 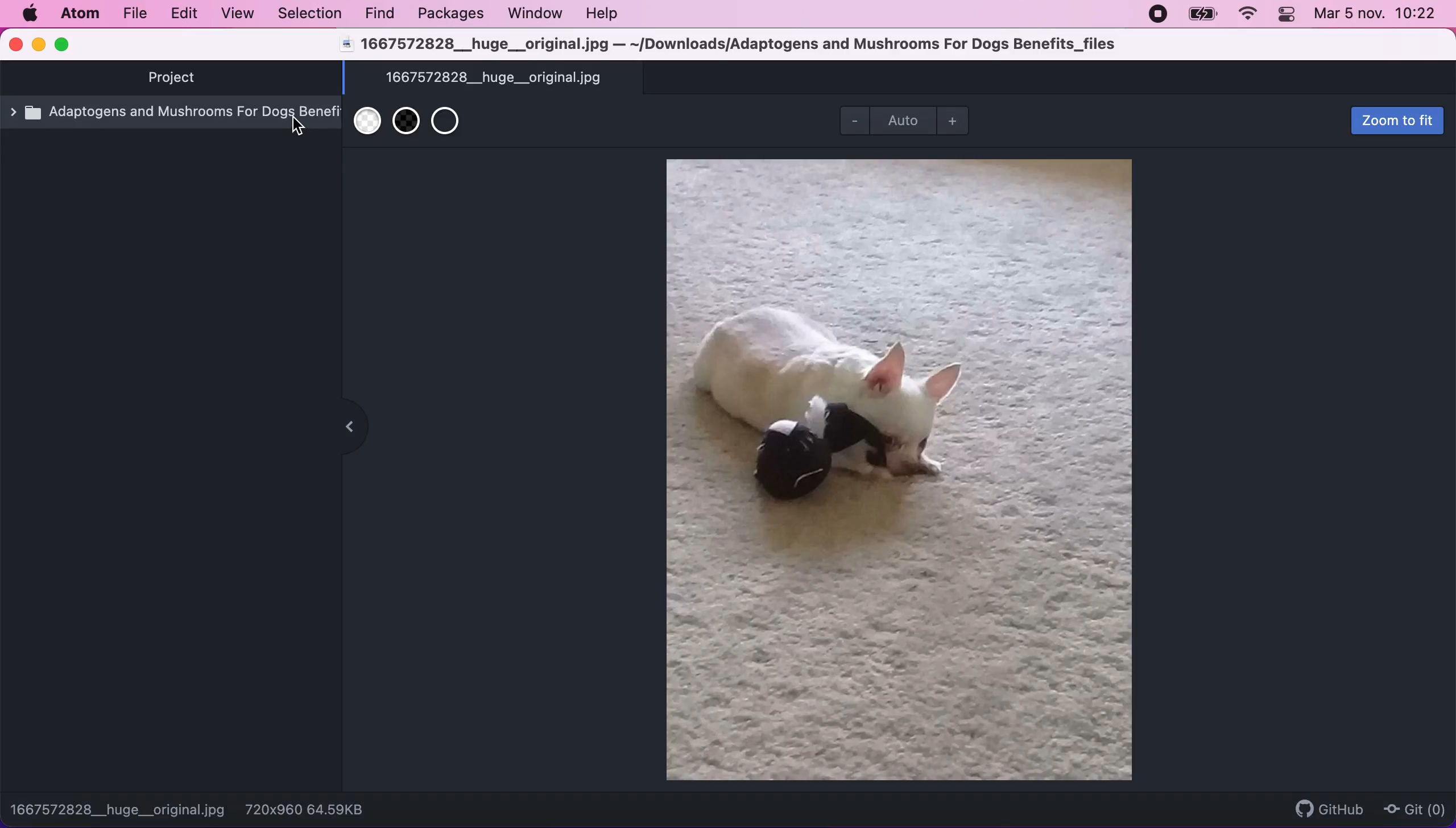 What do you see at coordinates (1248, 15) in the screenshot?
I see `wifi` at bounding box center [1248, 15].